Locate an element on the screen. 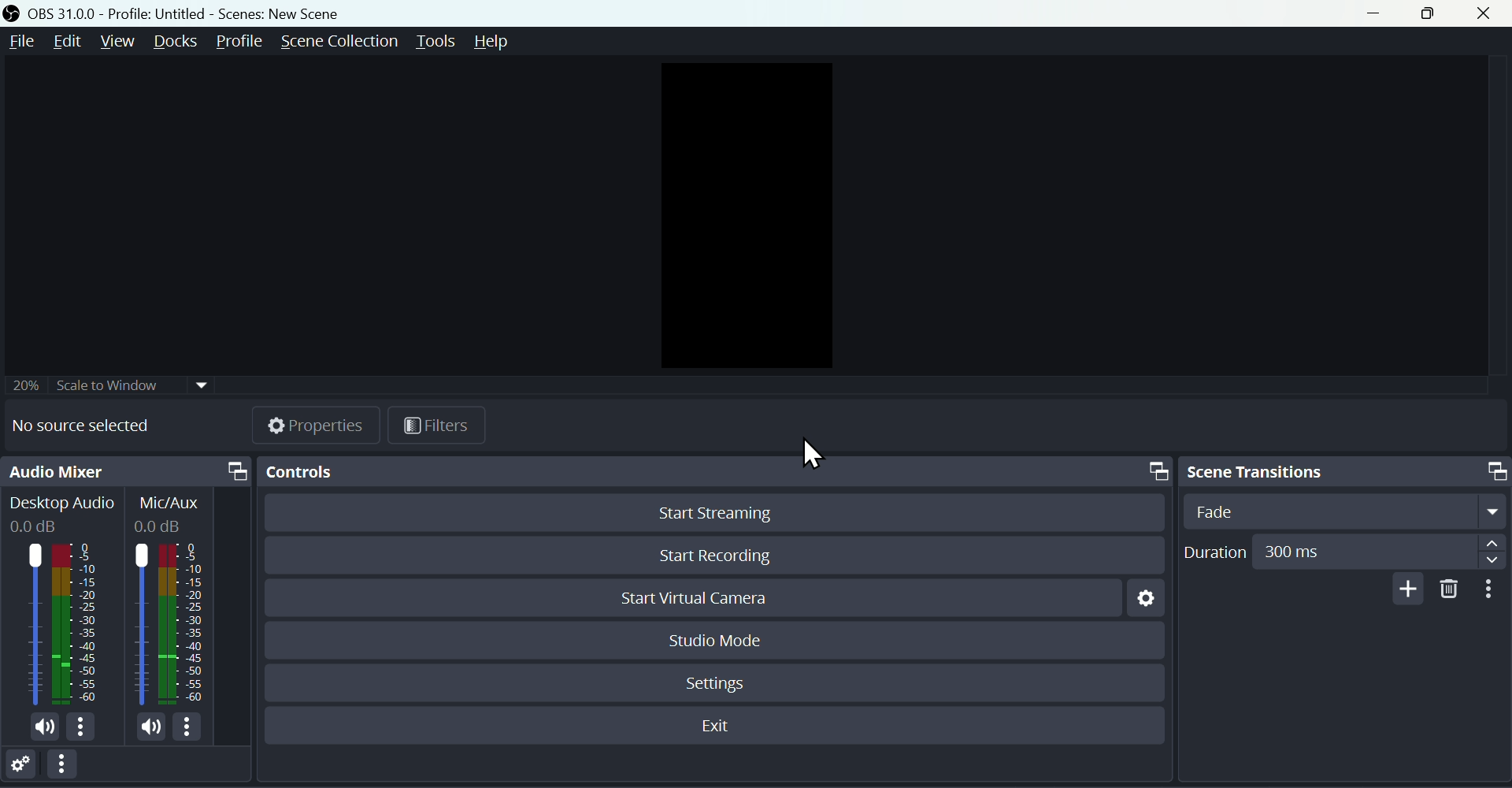 Image resolution: width=1512 pixels, height=788 pixels. more options is located at coordinates (194, 727).